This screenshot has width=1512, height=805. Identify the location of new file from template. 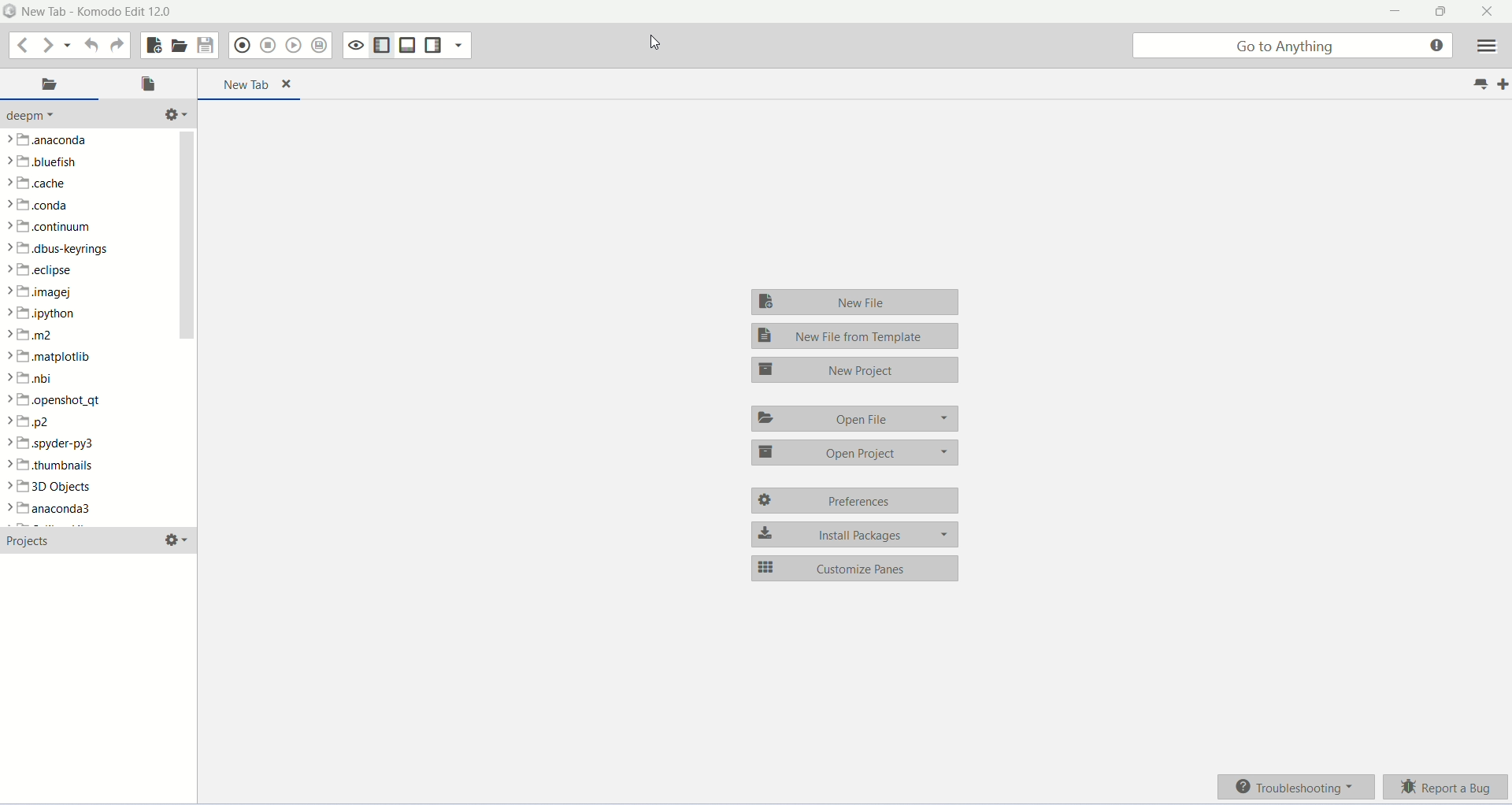
(854, 337).